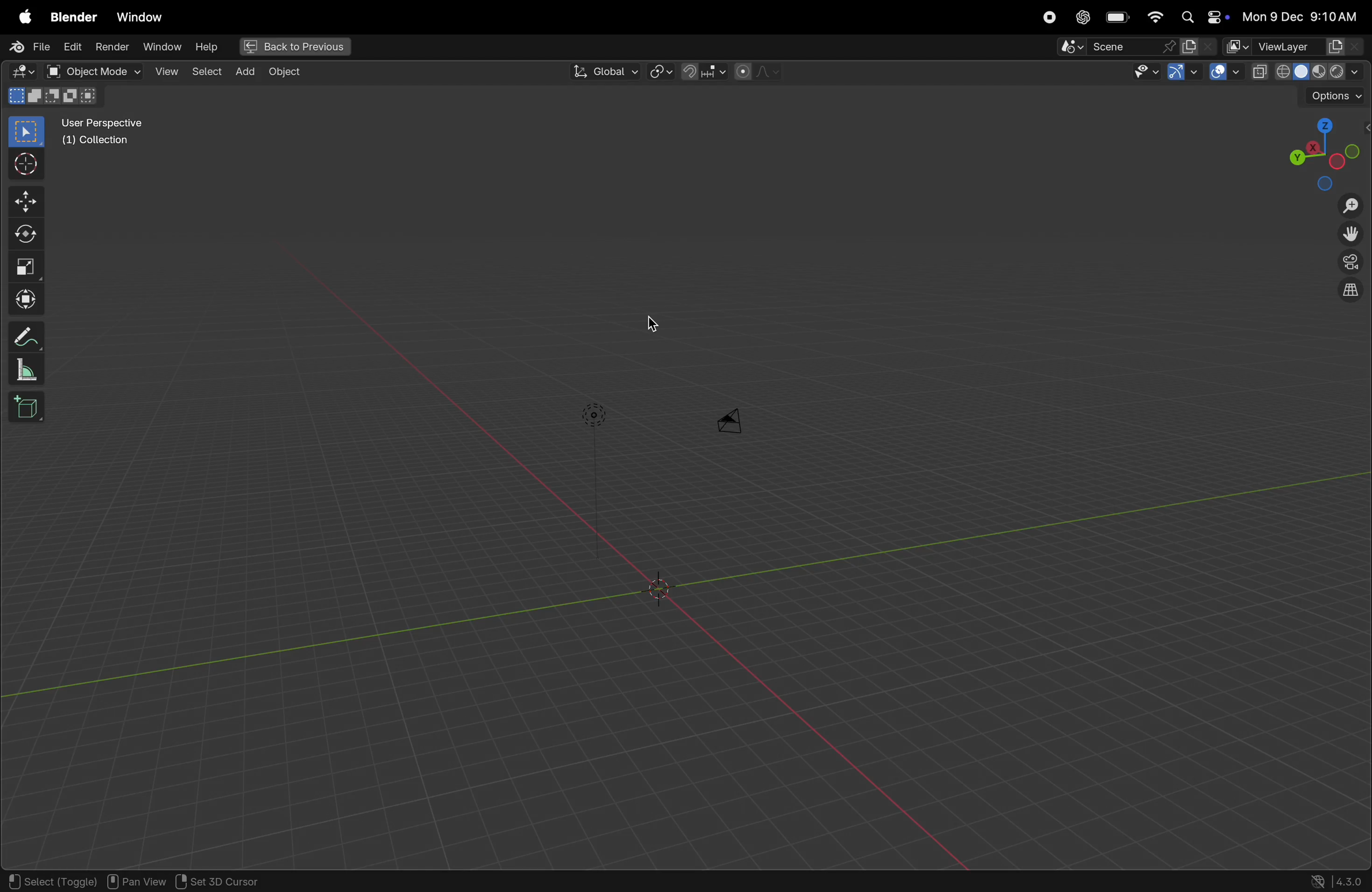 The width and height of the screenshot is (1372, 892). What do you see at coordinates (285, 72) in the screenshot?
I see `object` at bounding box center [285, 72].